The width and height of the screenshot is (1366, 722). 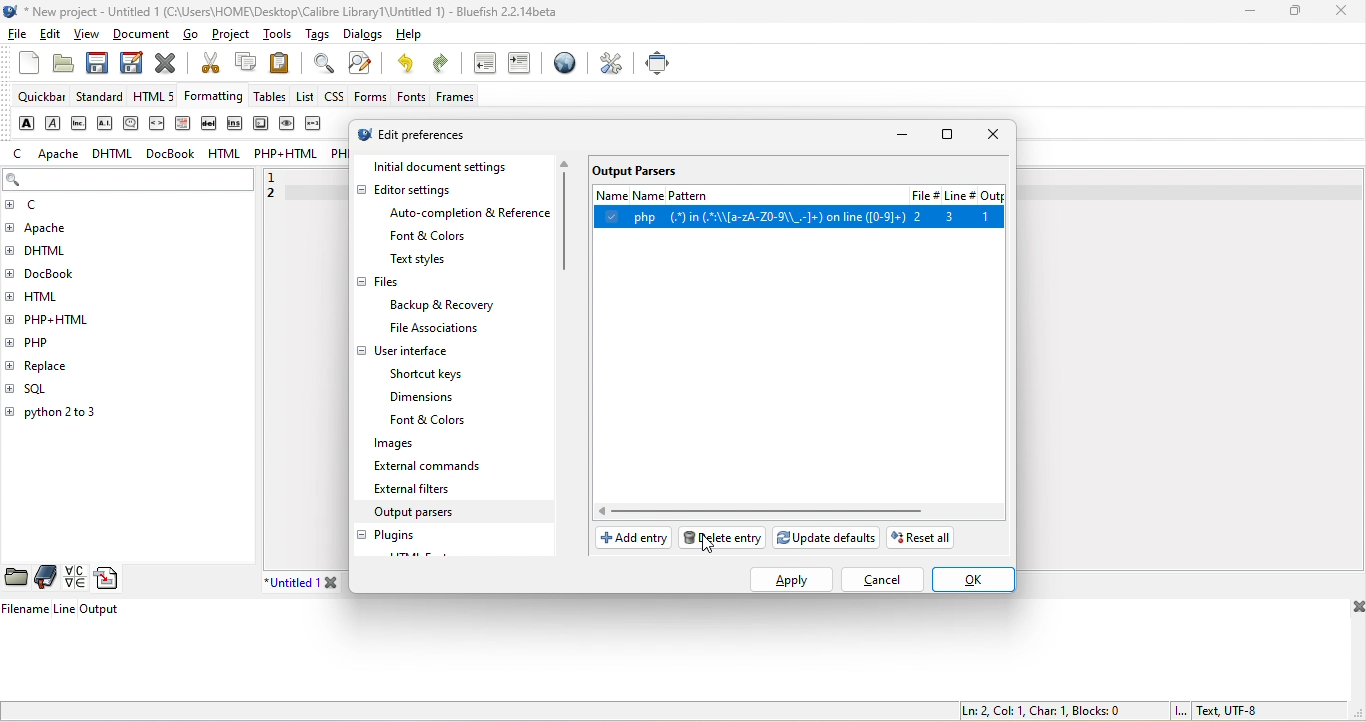 What do you see at coordinates (24, 122) in the screenshot?
I see `strong` at bounding box center [24, 122].